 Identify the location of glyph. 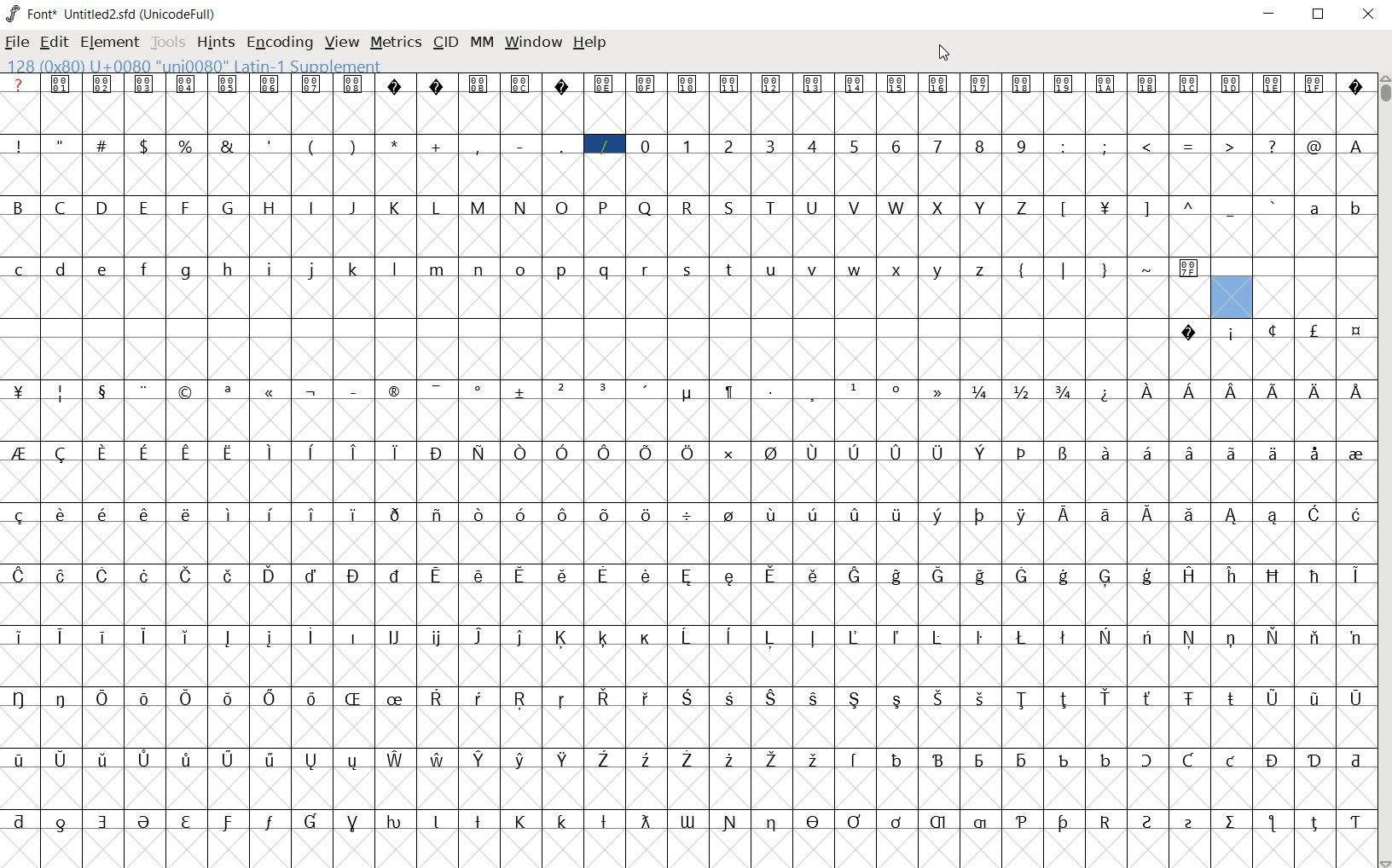
(184, 272).